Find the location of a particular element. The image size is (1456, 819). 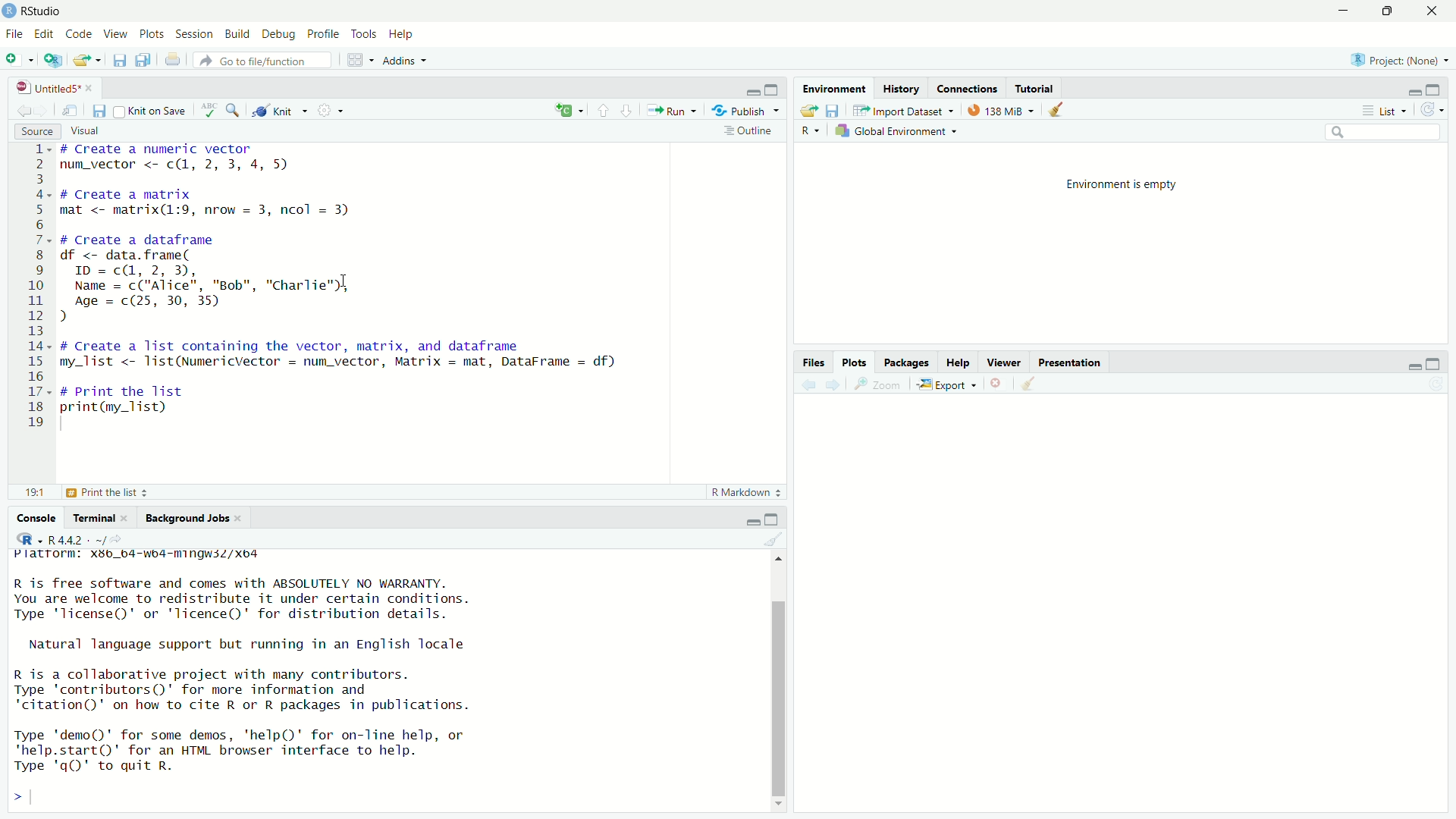

Knit is located at coordinates (281, 111).